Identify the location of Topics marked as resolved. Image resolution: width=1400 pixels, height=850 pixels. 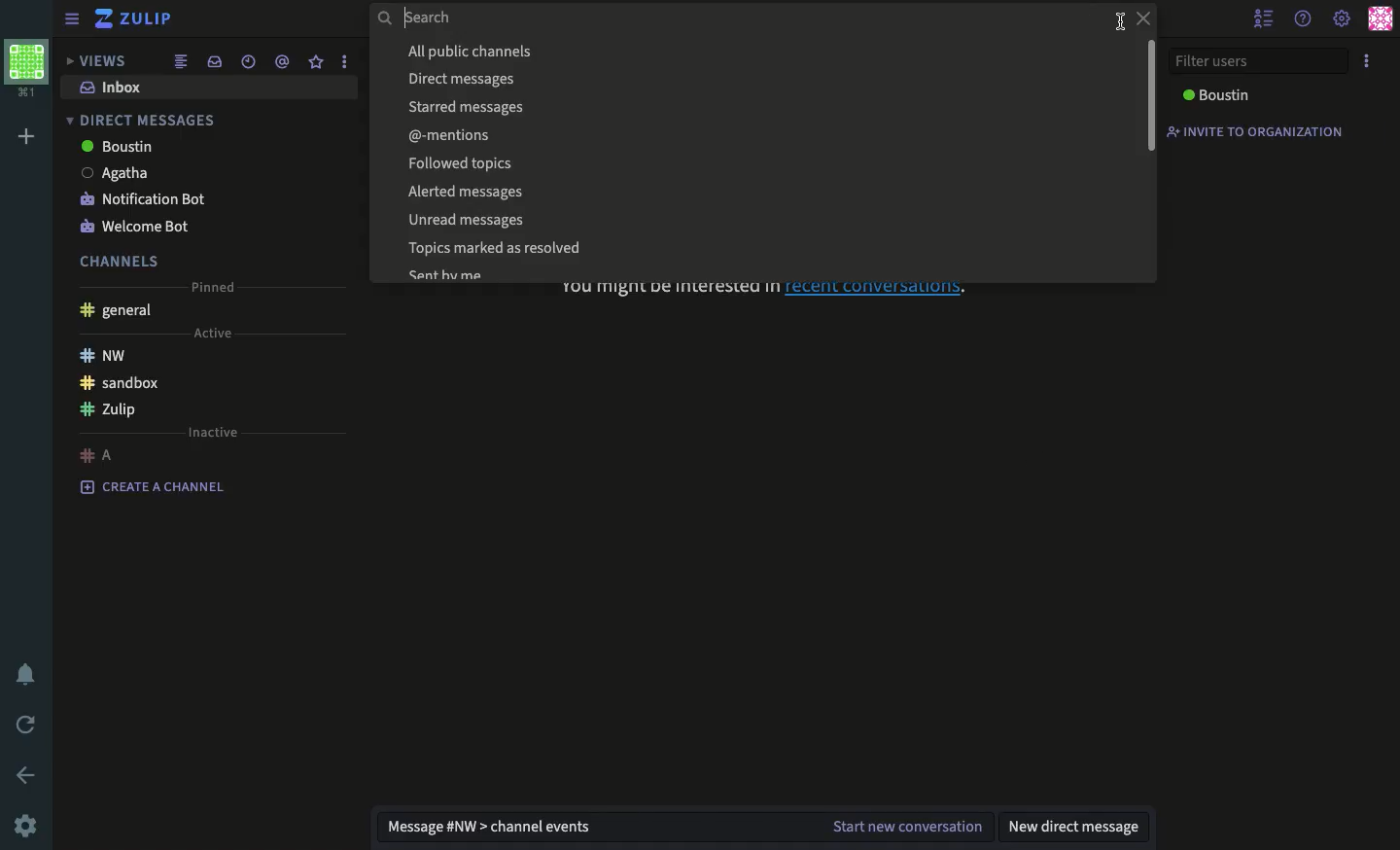
(496, 248).